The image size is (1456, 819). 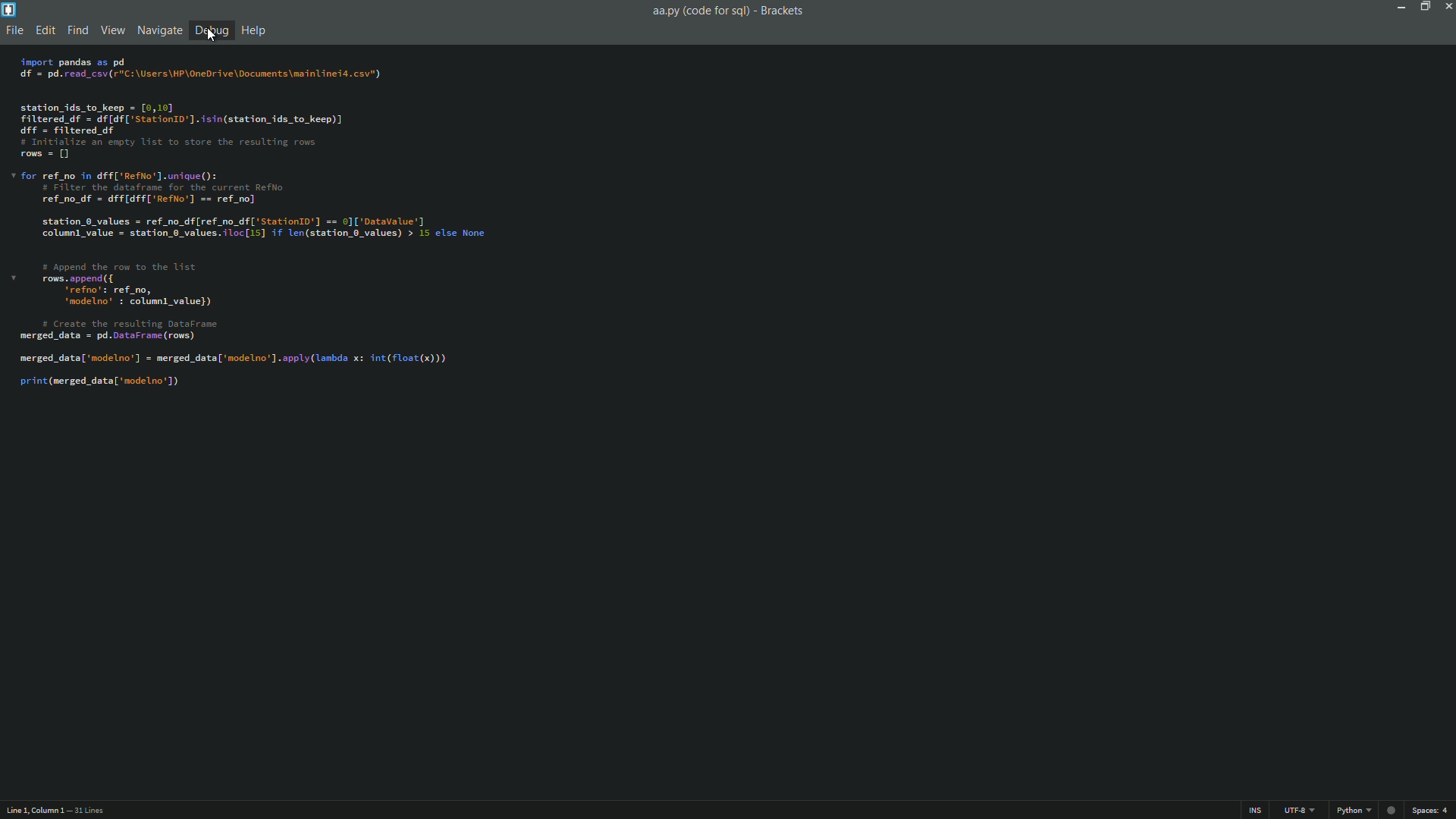 What do you see at coordinates (15, 30) in the screenshot?
I see `file menu` at bounding box center [15, 30].